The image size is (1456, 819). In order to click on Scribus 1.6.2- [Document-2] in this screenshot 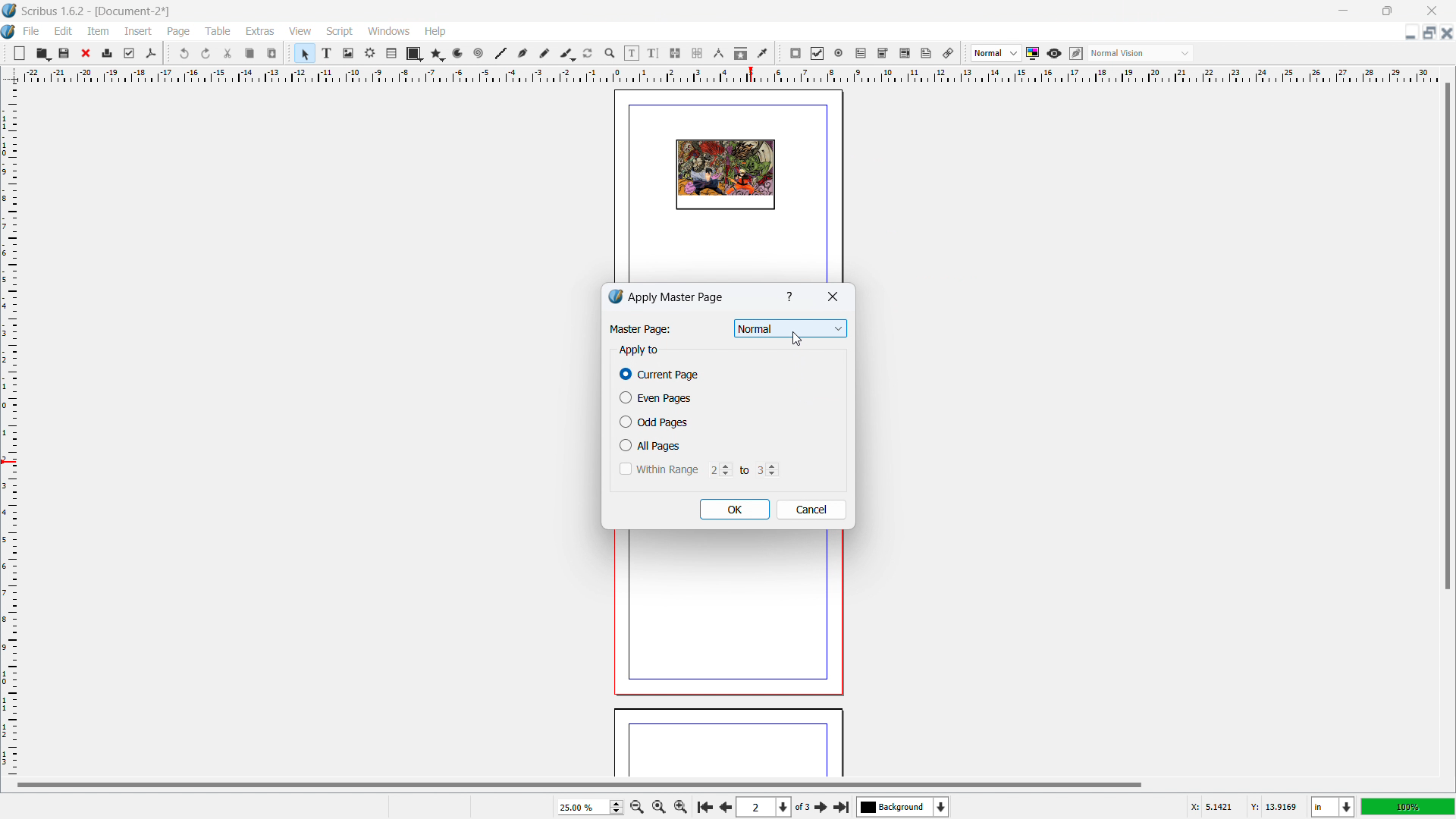, I will do `click(98, 11)`.